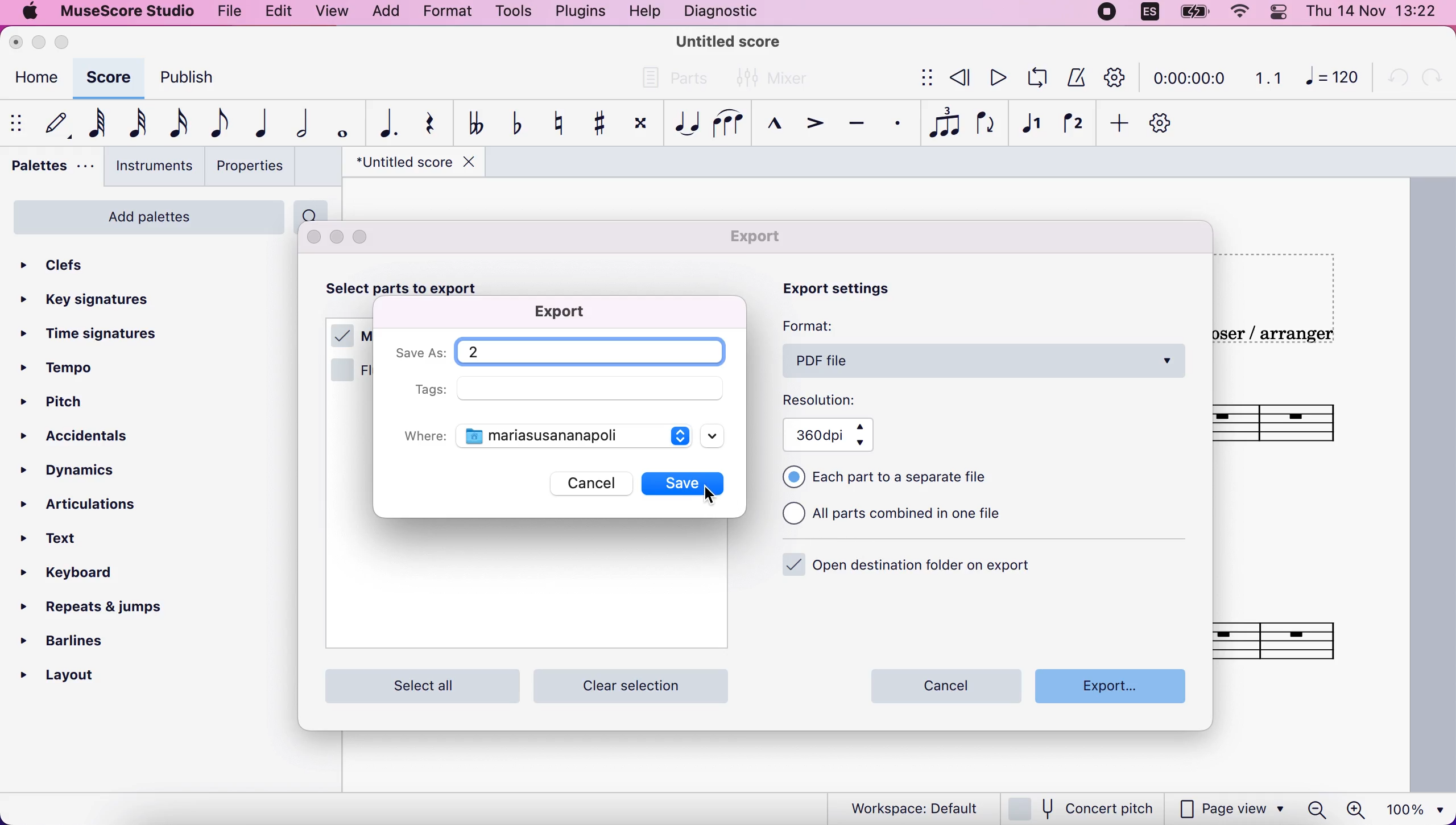 This screenshot has width=1456, height=825. What do you see at coordinates (907, 807) in the screenshot?
I see `workspace default` at bounding box center [907, 807].